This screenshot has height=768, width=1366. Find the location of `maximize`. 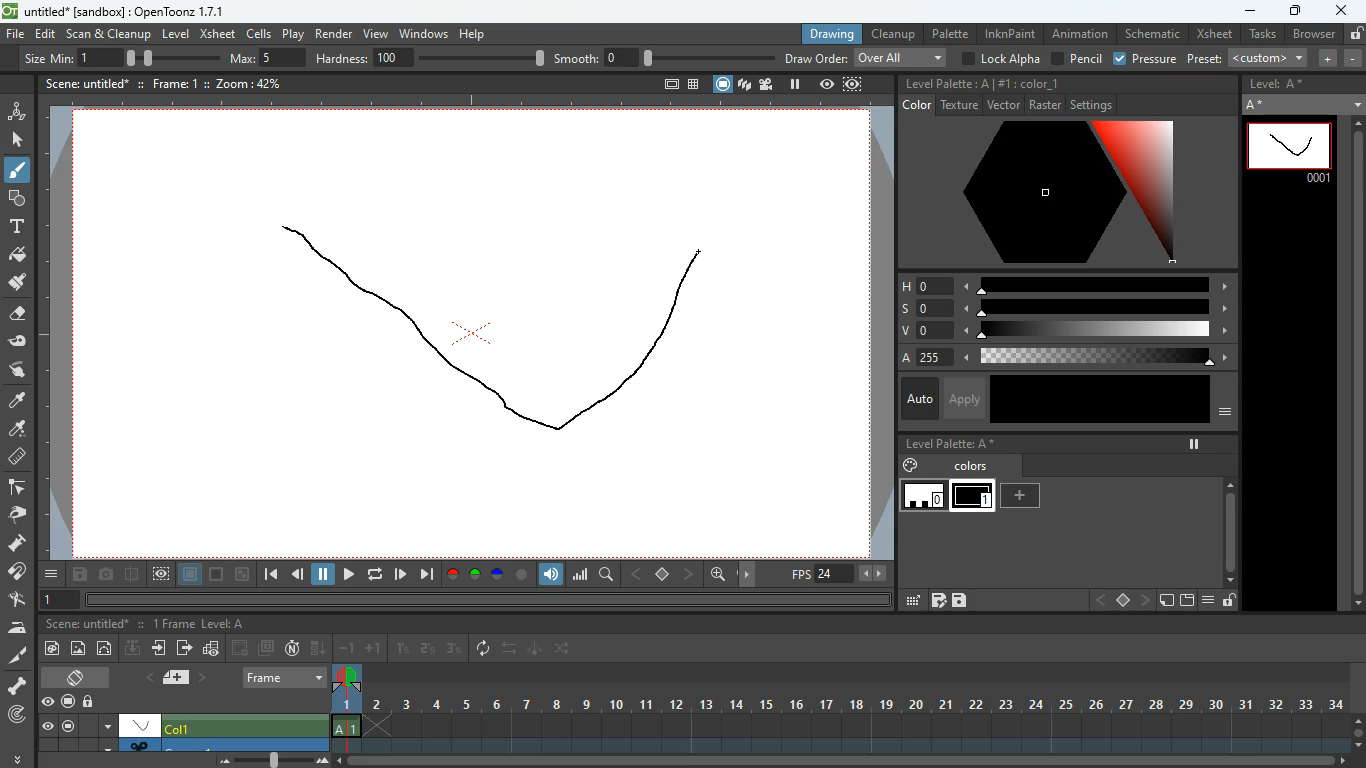

maximize is located at coordinates (1293, 13).